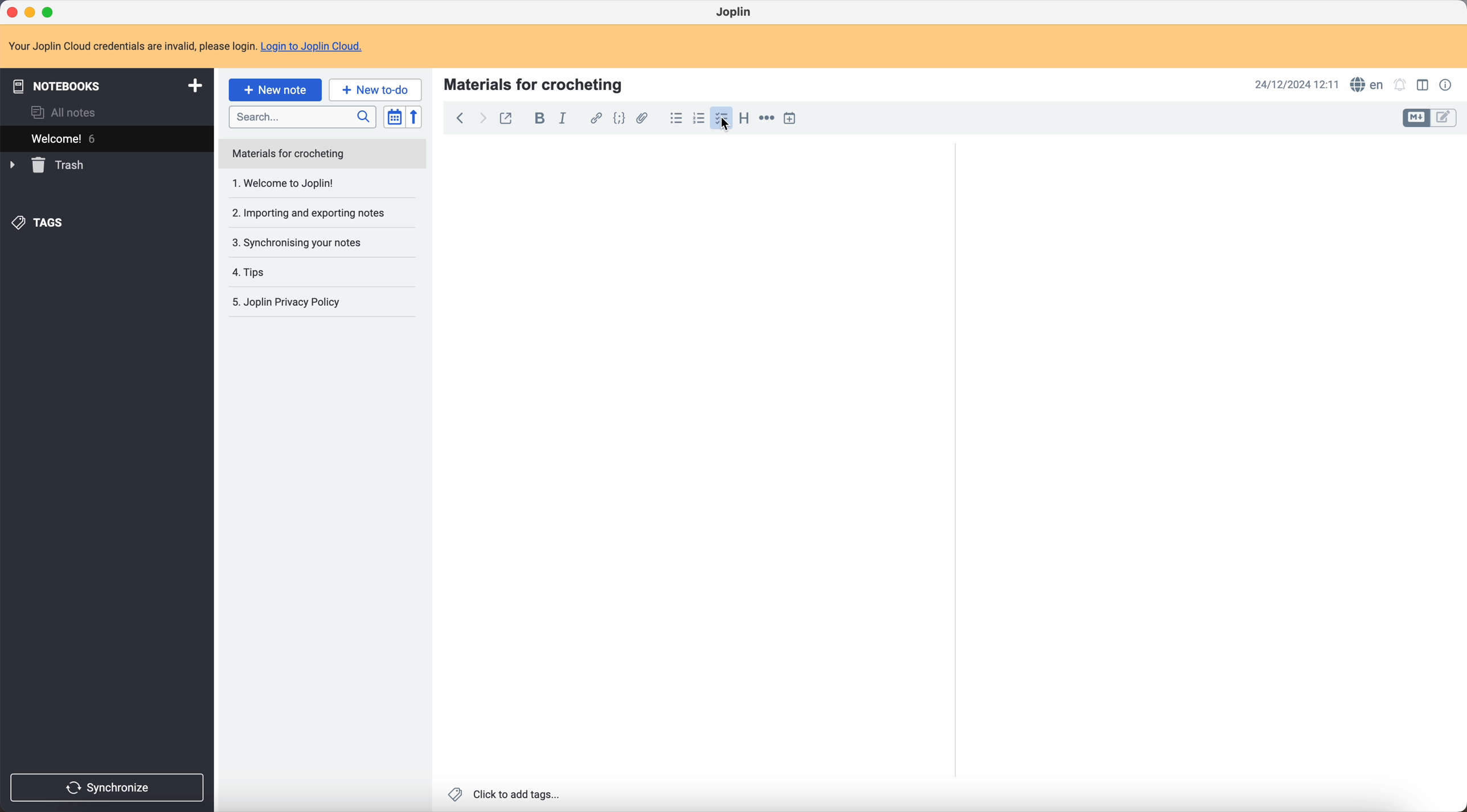  Describe the element at coordinates (1445, 117) in the screenshot. I see `toggle edit layout` at that location.